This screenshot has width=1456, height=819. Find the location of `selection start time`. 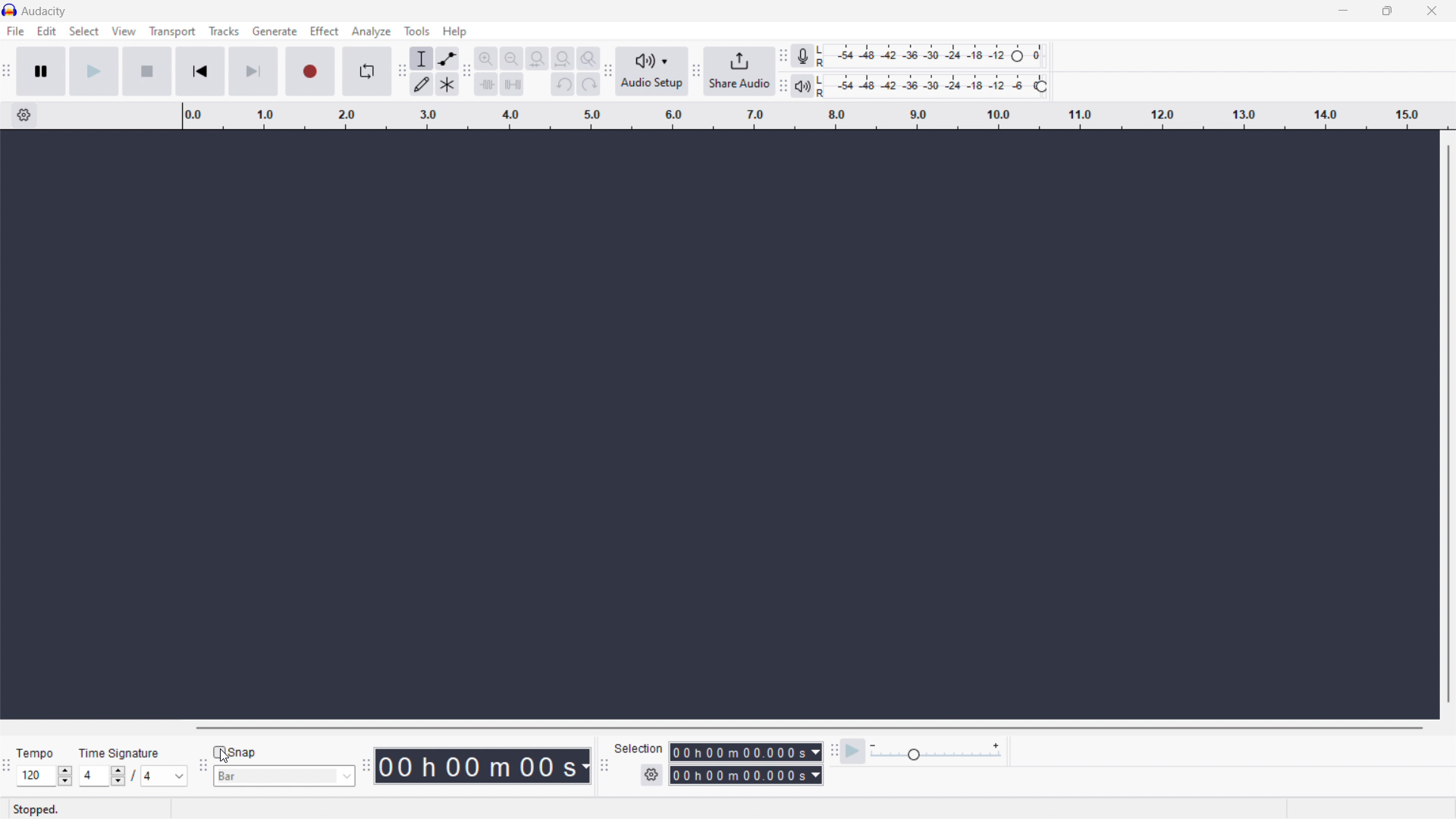

selection start time is located at coordinates (745, 752).